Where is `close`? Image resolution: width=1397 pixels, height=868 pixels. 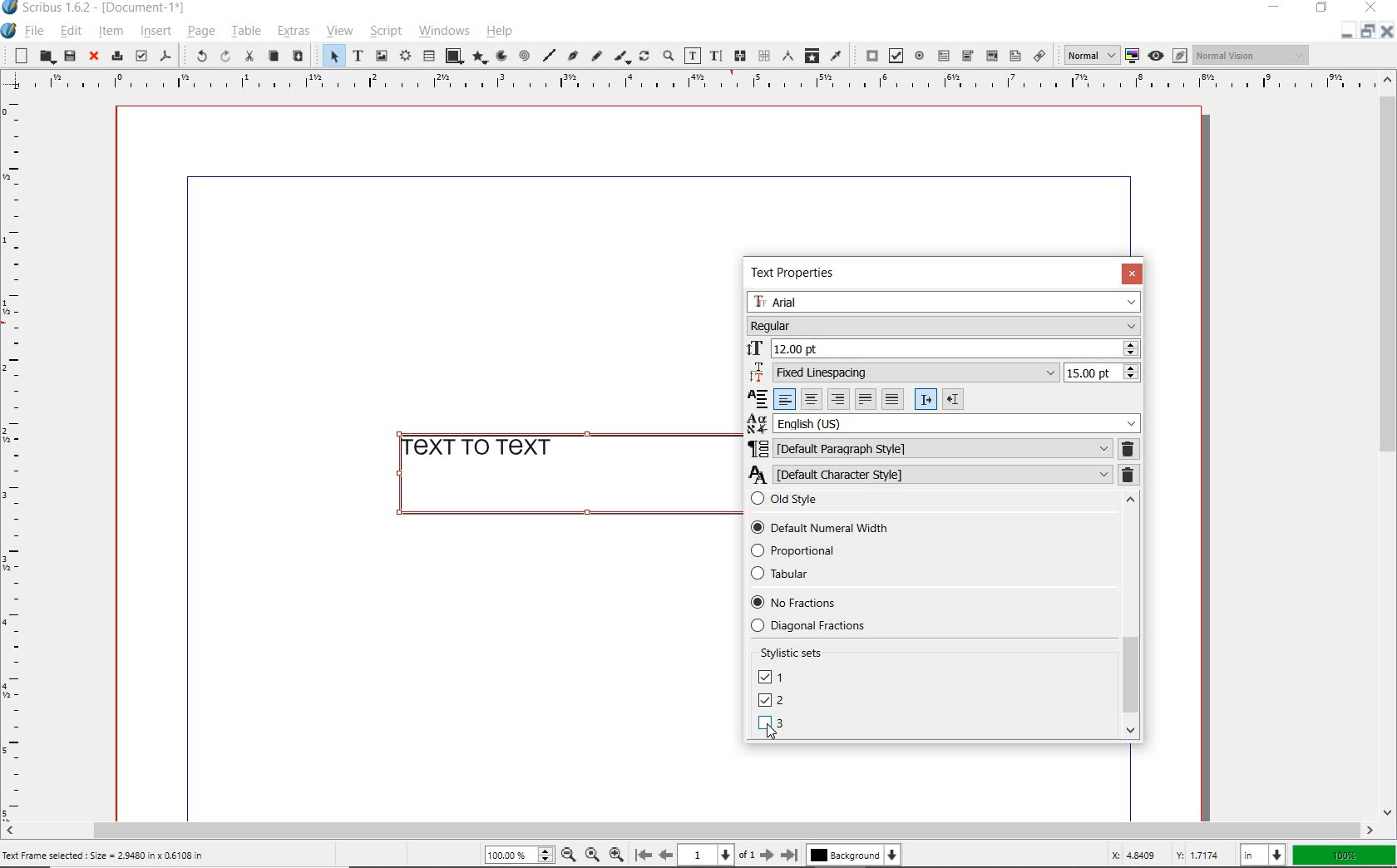 close is located at coordinates (1371, 7).